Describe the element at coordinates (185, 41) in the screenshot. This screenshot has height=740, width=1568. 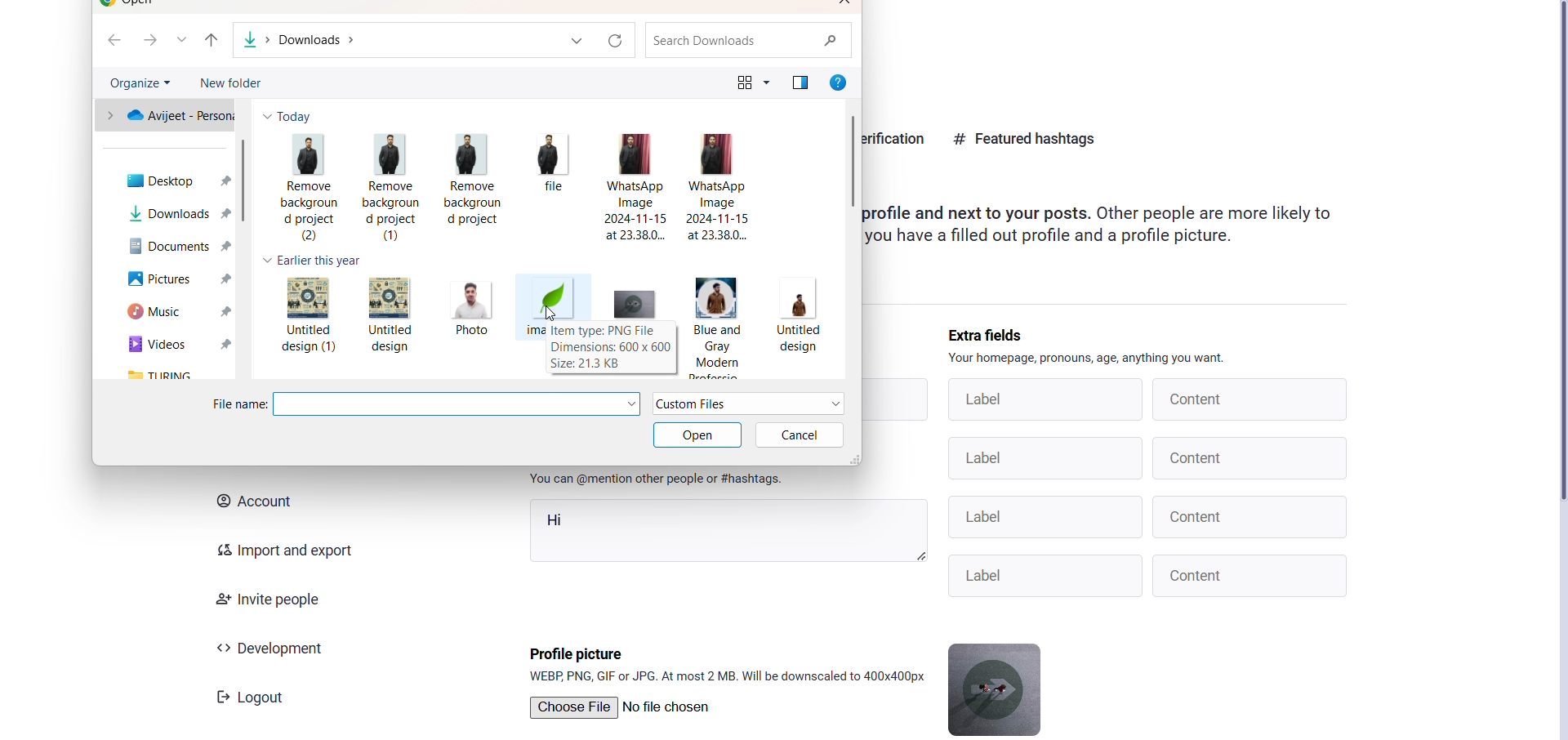
I see `list` at that location.